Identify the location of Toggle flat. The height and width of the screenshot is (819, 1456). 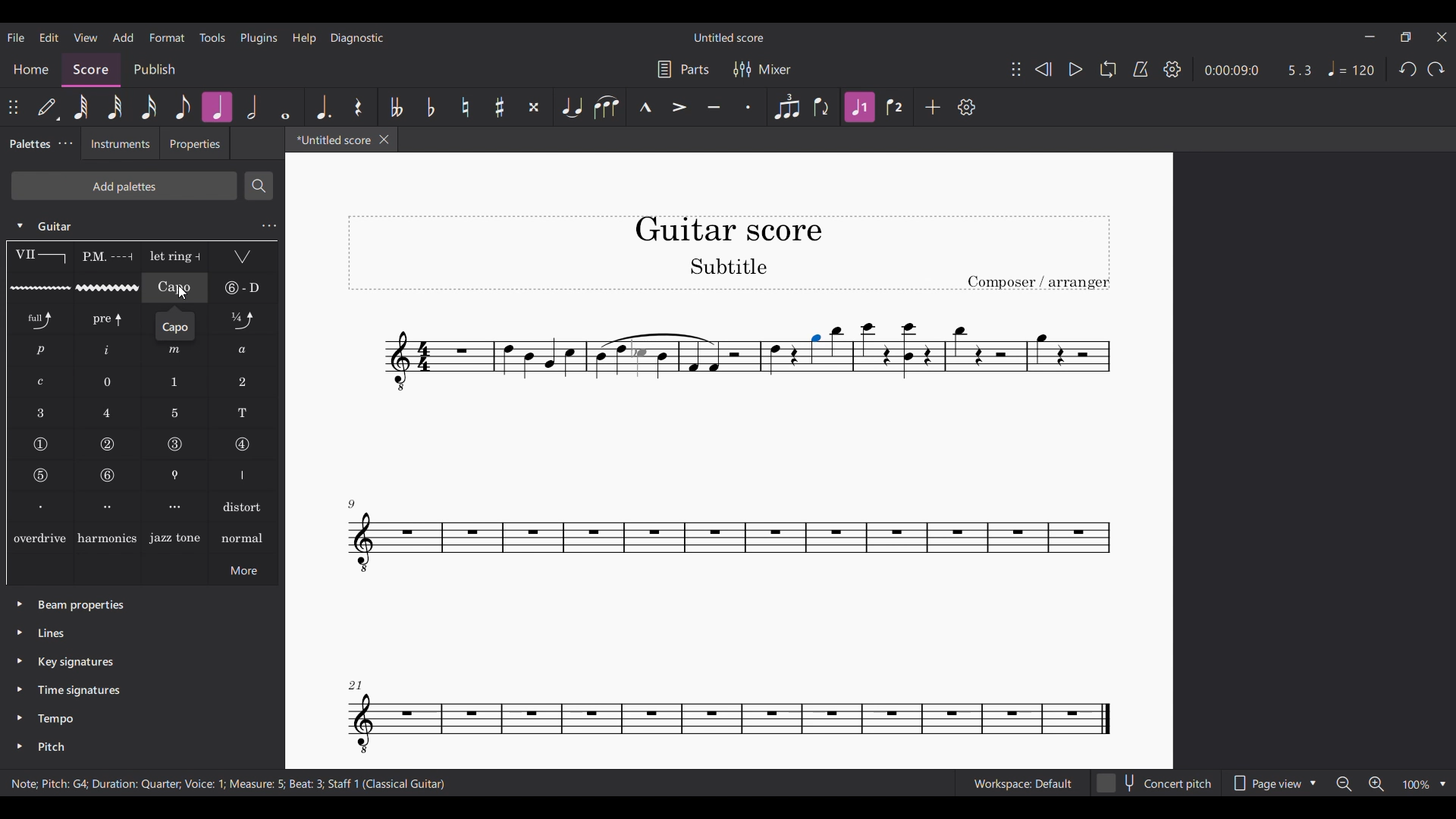
(430, 107).